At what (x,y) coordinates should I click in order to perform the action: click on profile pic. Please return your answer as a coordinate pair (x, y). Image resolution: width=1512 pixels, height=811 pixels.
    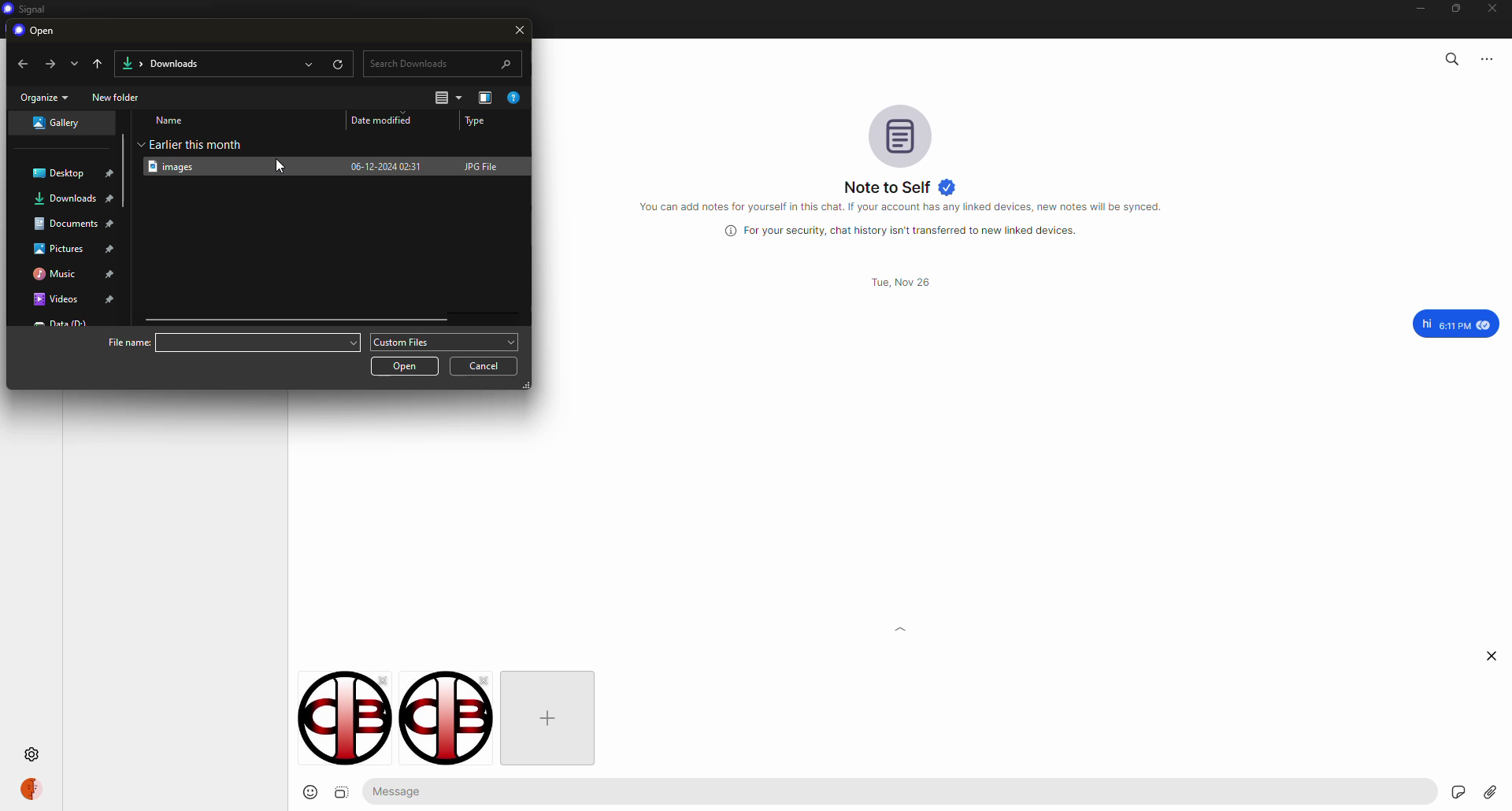
    Looking at the image, I should click on (899, 134).